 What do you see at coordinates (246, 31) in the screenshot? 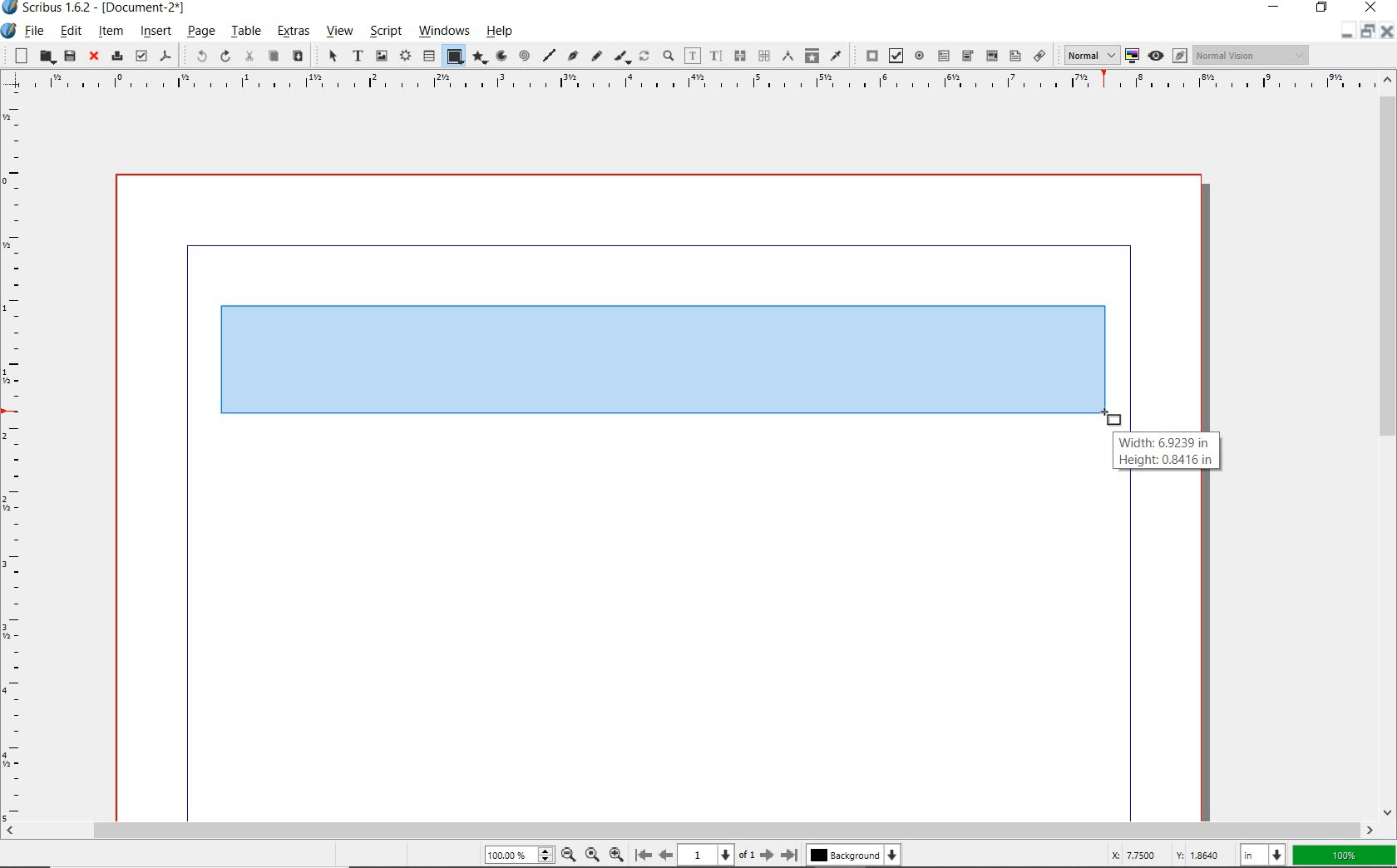
I see `table` at bounding box center [246, 31].